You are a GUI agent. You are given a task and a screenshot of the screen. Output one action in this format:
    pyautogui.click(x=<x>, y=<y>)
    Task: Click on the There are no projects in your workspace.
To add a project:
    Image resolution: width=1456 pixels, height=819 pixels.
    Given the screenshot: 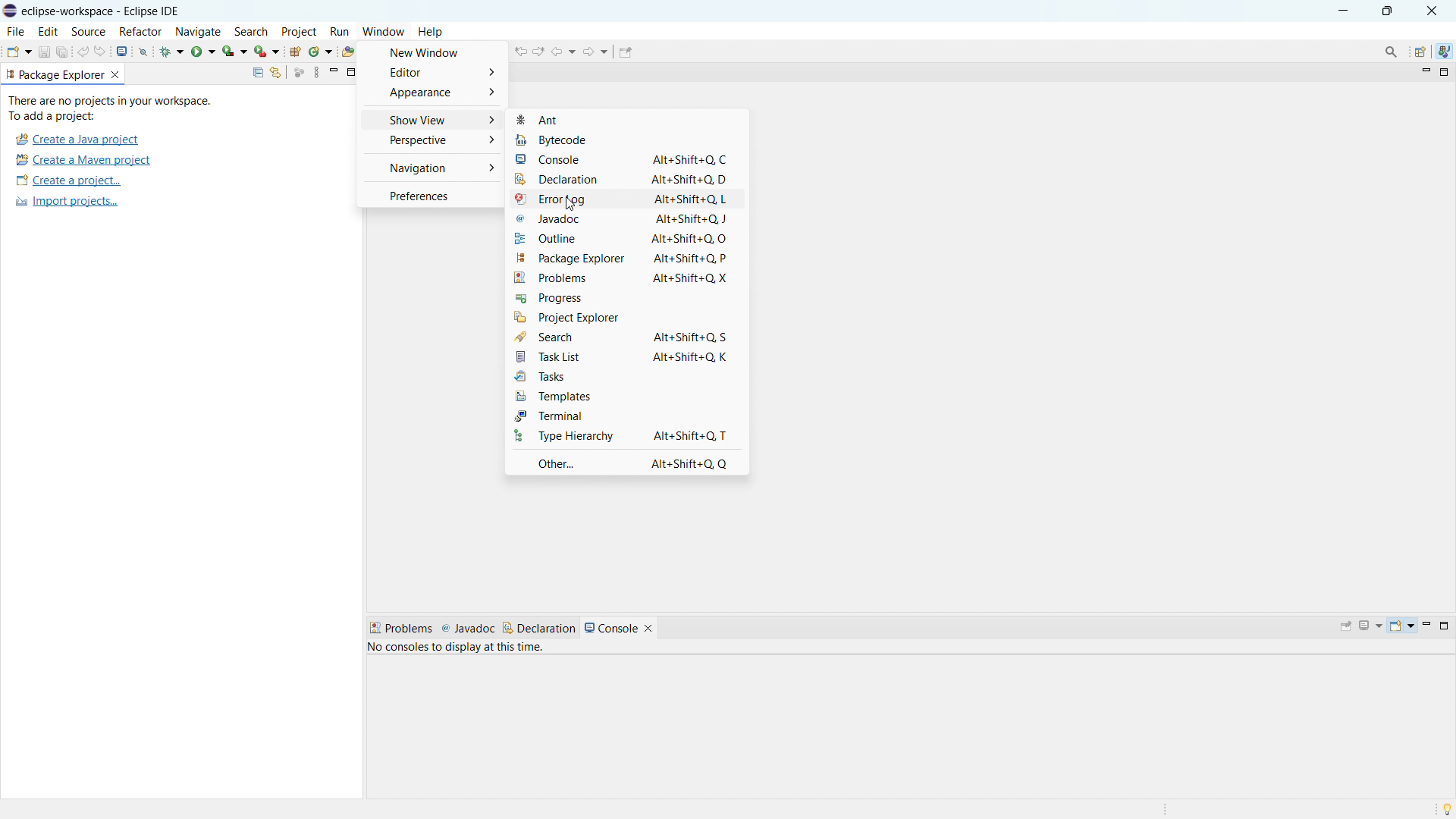 What is the action you would take?
    pyautogui.click(x=113, y=108)
    